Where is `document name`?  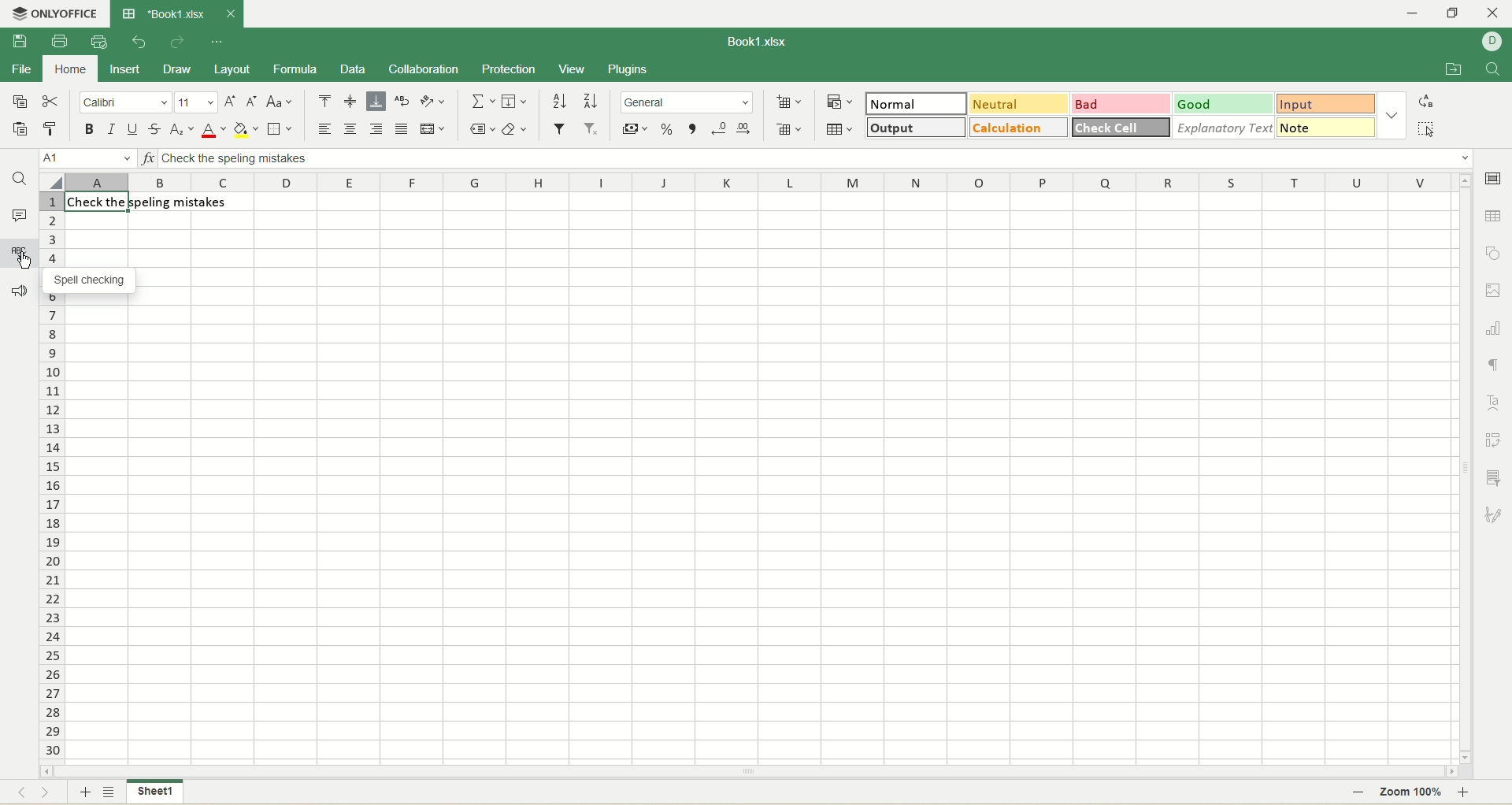
document name is located at coordinates (757, 42).